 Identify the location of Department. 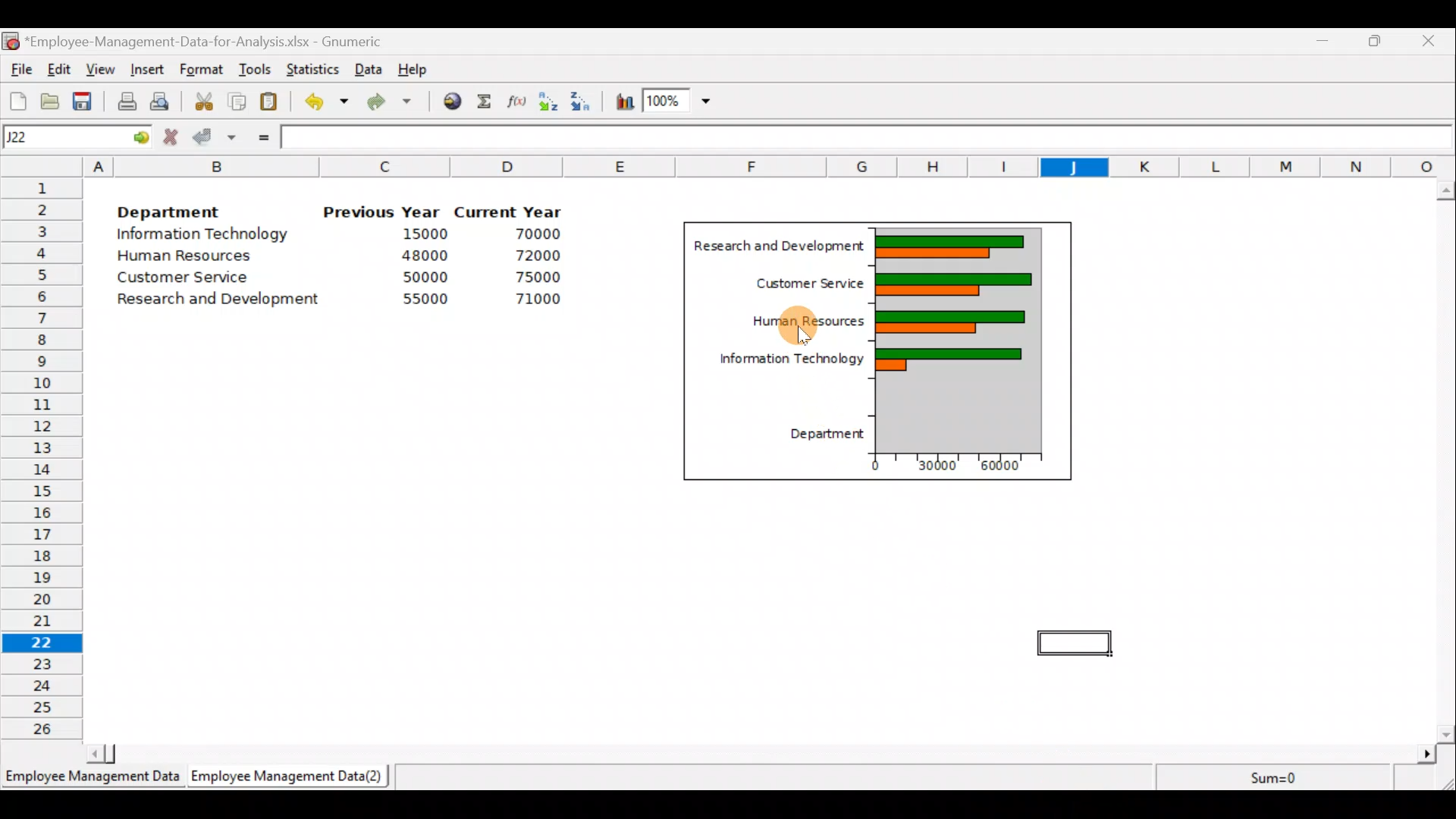
(180, 212).